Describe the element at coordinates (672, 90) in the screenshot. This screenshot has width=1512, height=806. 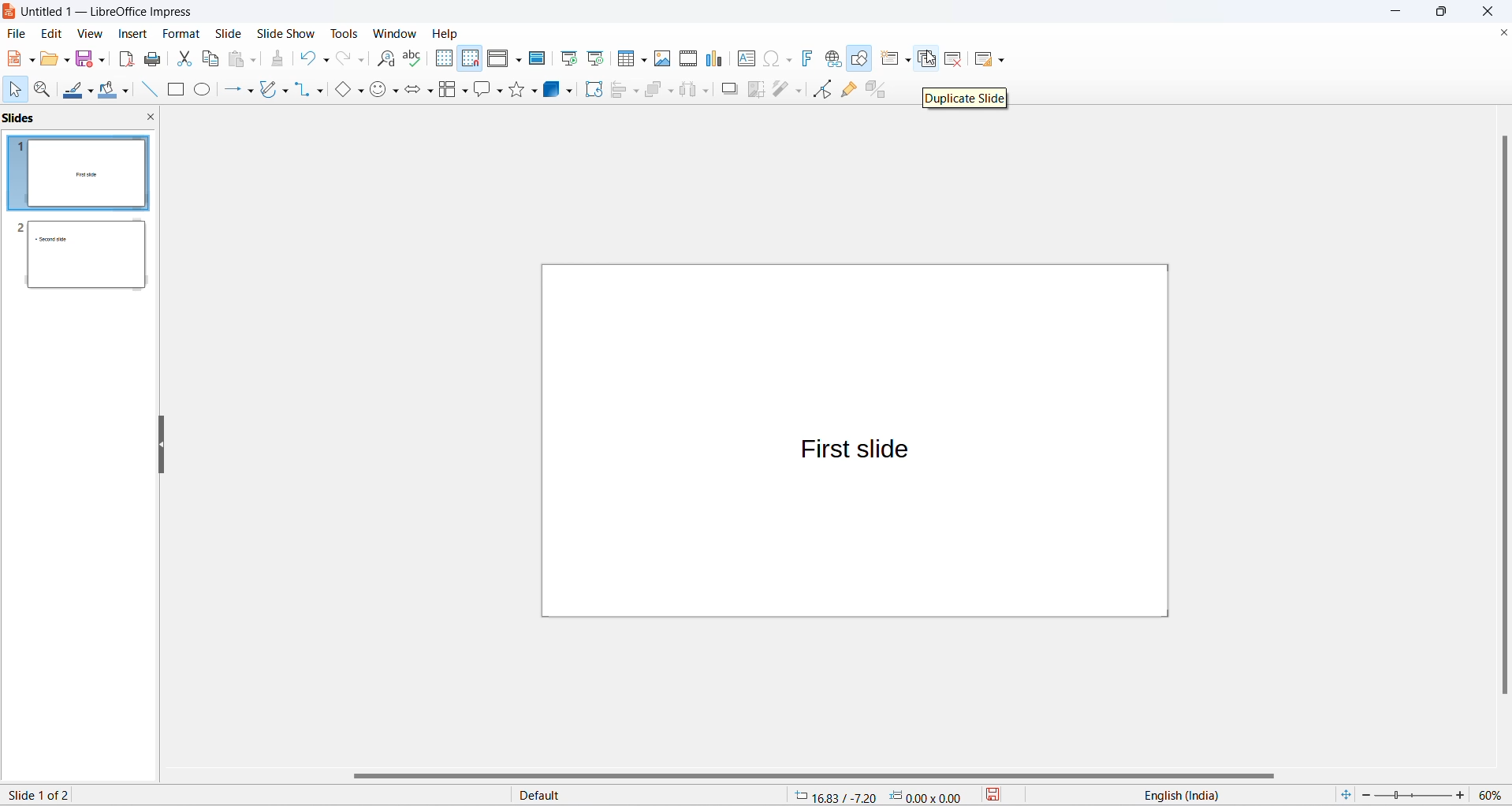
I see `arrange options` at that location.